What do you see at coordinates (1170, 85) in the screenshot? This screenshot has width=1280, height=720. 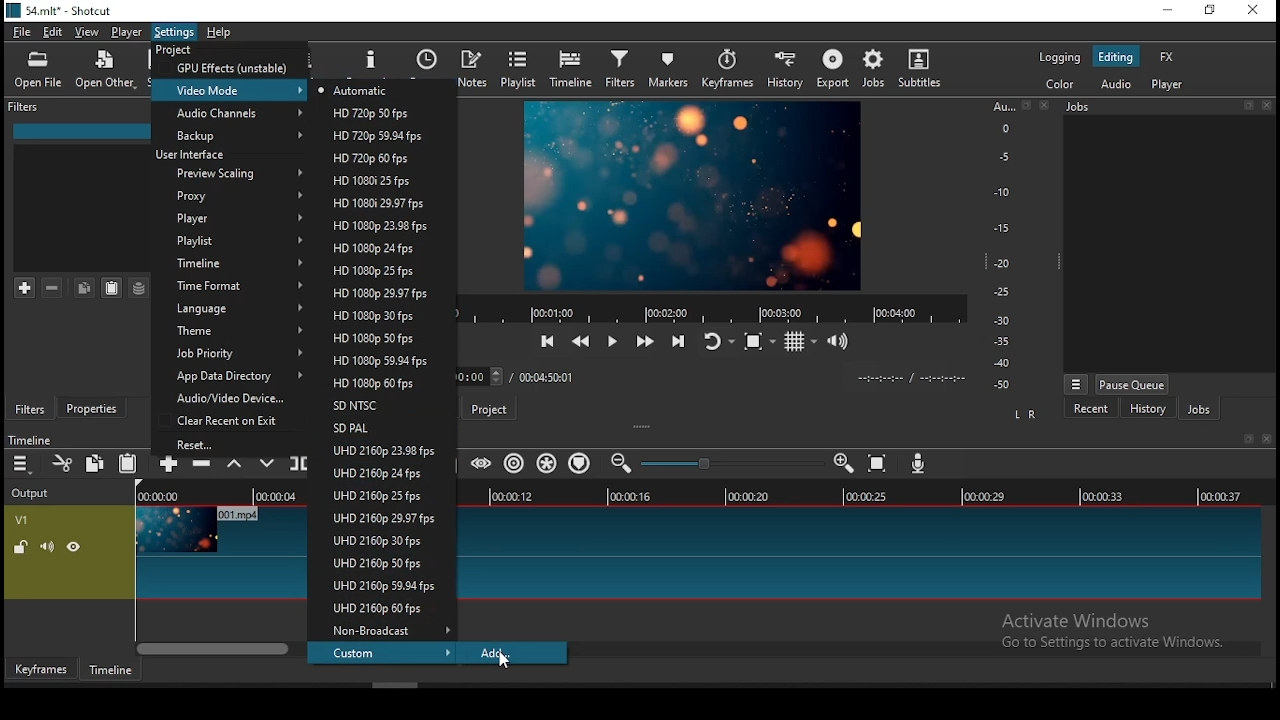 I see `player` at bounding box center [1170, 85].